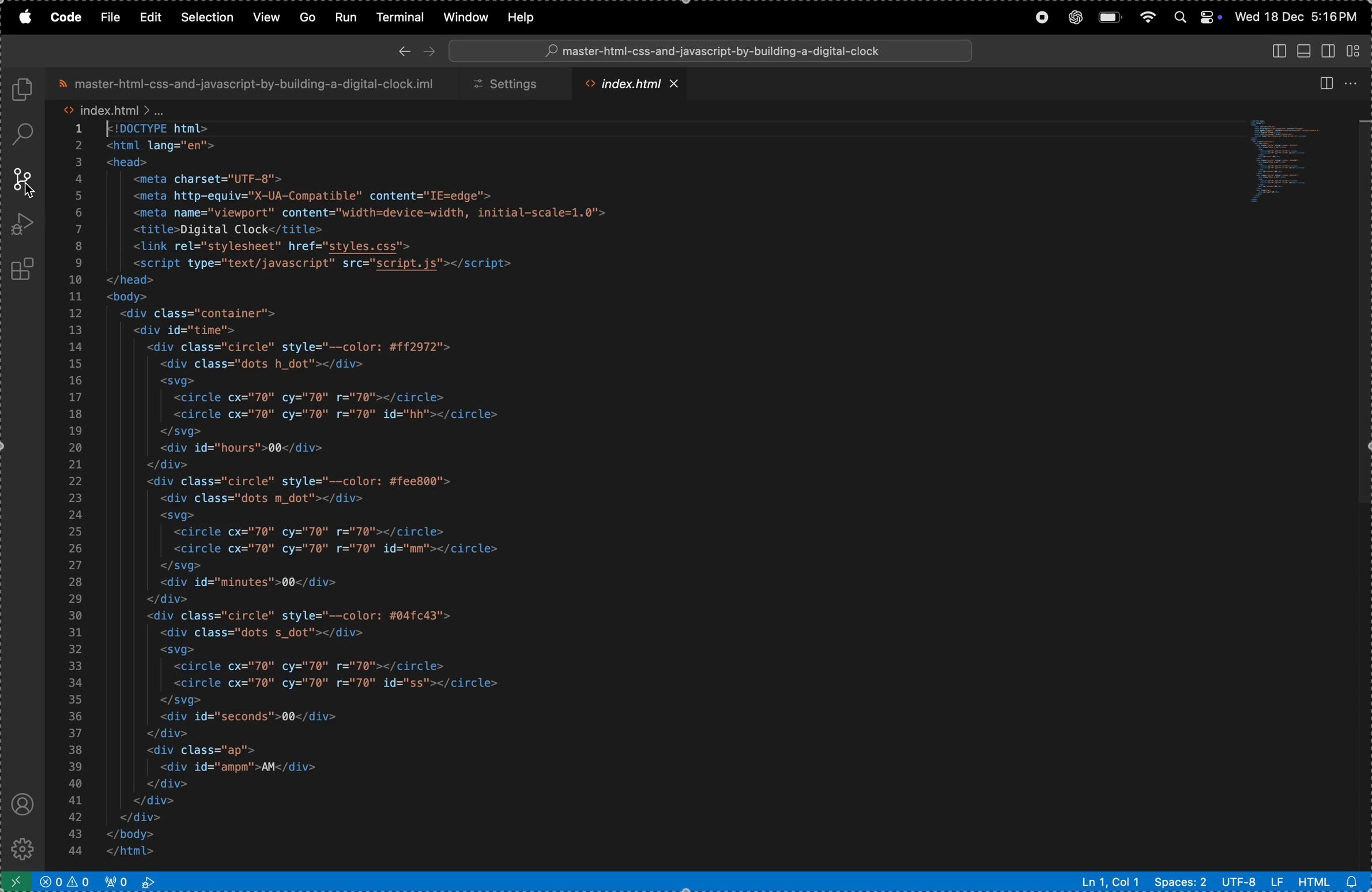 This screenshot has width=1372, height=892. I want to click on view, so click(265, 16).